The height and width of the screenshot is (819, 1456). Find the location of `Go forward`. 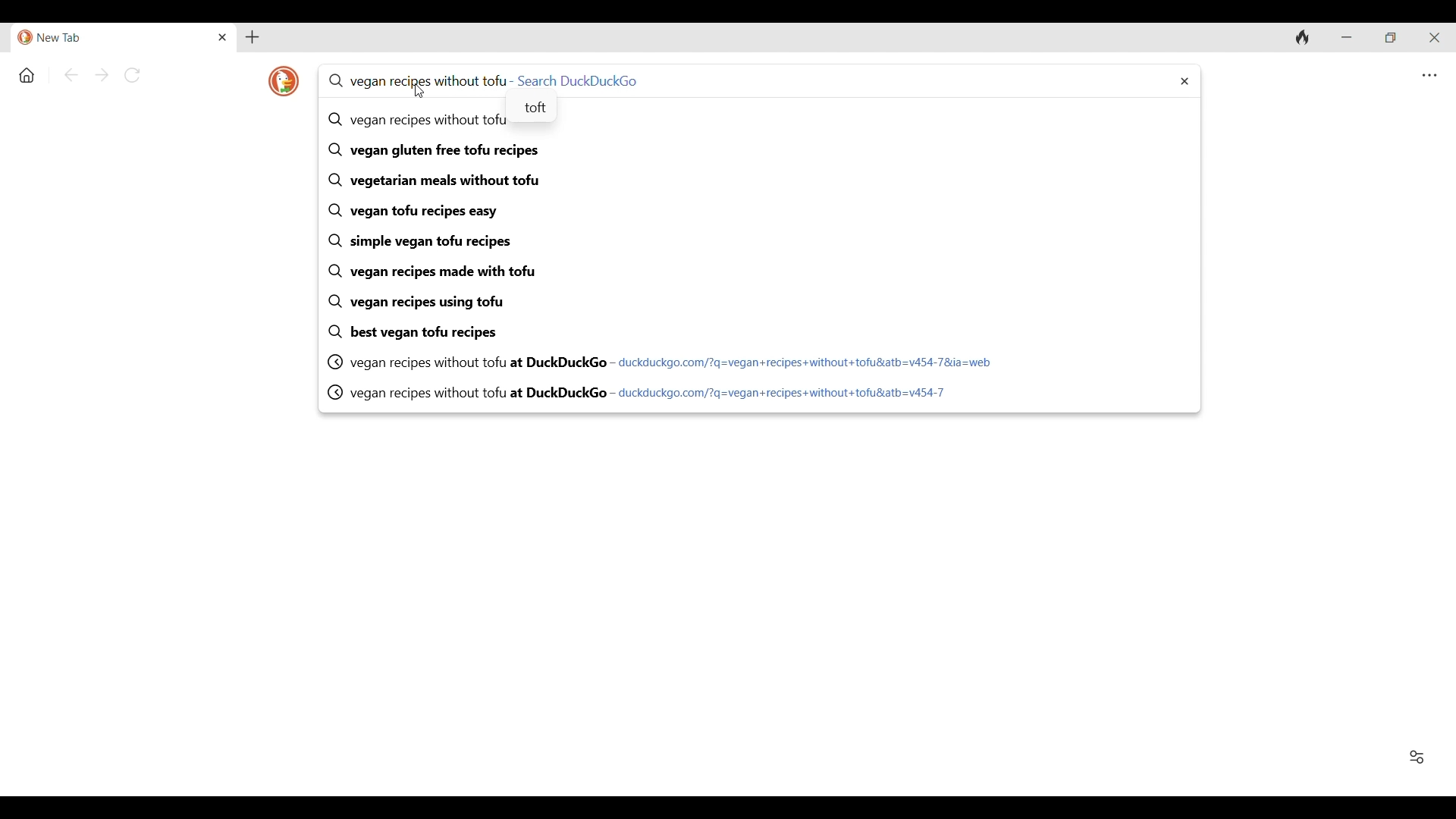

Go forward is located at coordinates (102, 75).